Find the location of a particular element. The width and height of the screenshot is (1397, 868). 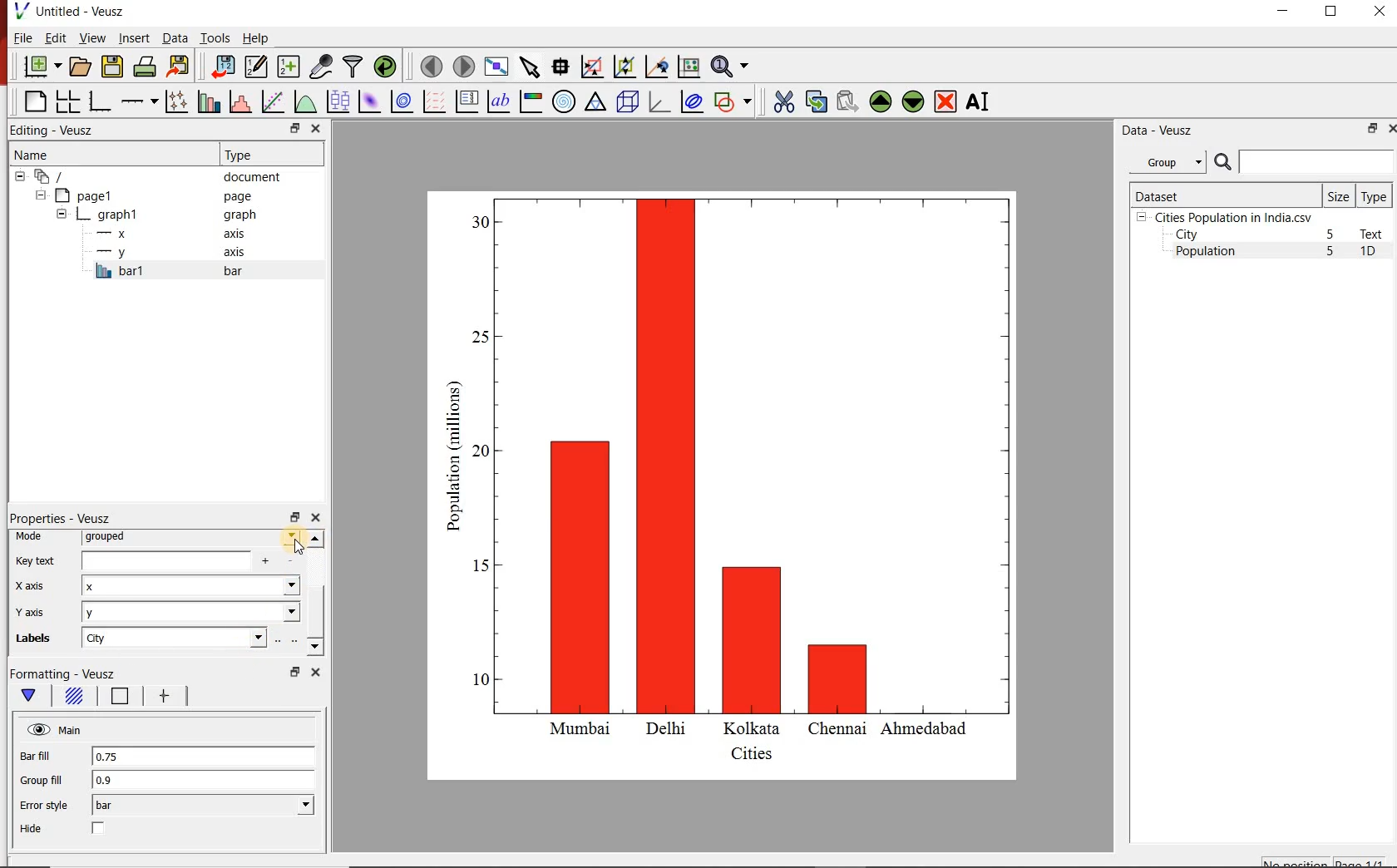

Population is located at coordinates (1206, 253).